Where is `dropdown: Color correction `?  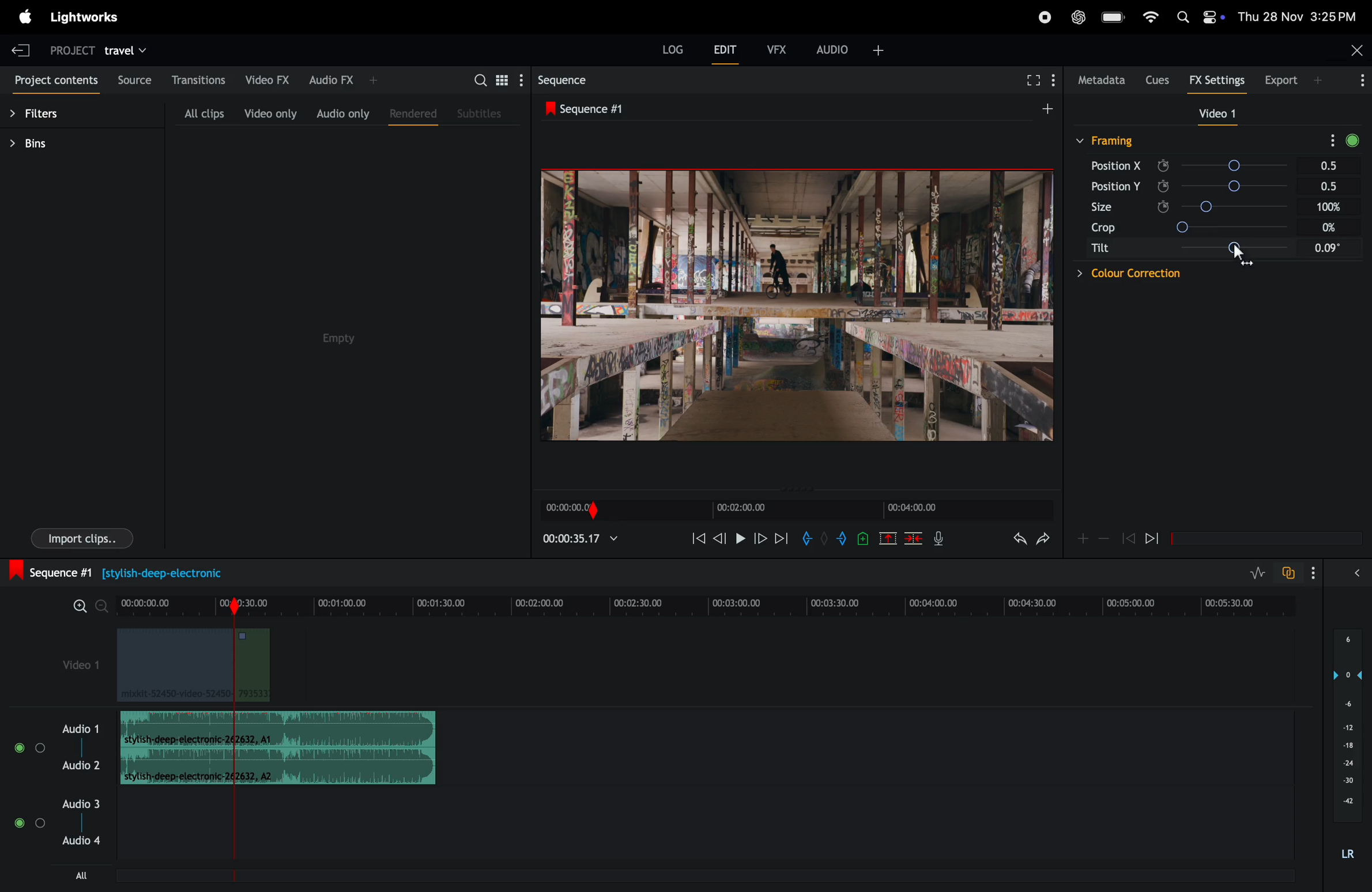 dropdown: Color correction  is located at coordinates (1126, 277).